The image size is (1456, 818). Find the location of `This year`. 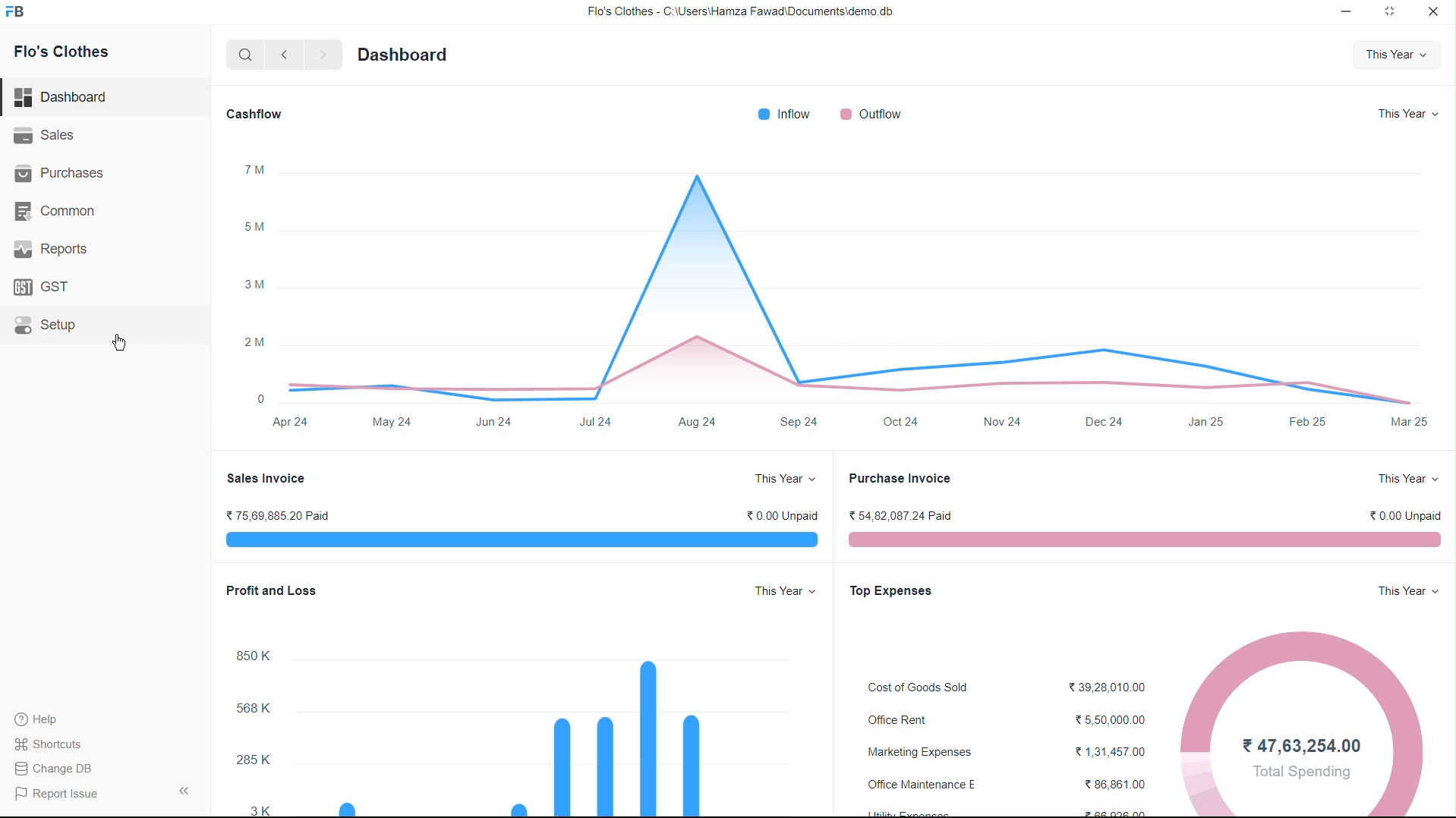

This year is located at coordinates (1404, 591).